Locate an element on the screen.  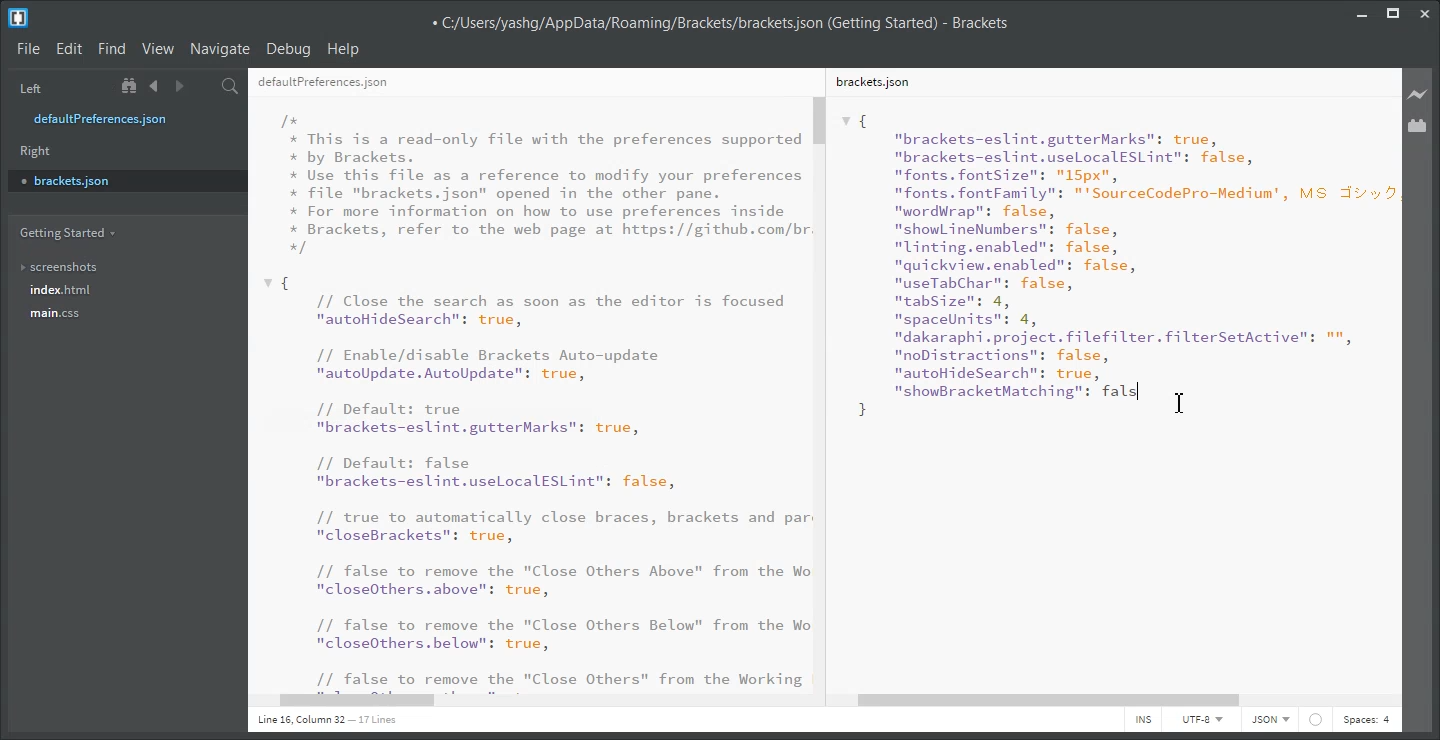
Getting Started is located at coordinates (66, 233).